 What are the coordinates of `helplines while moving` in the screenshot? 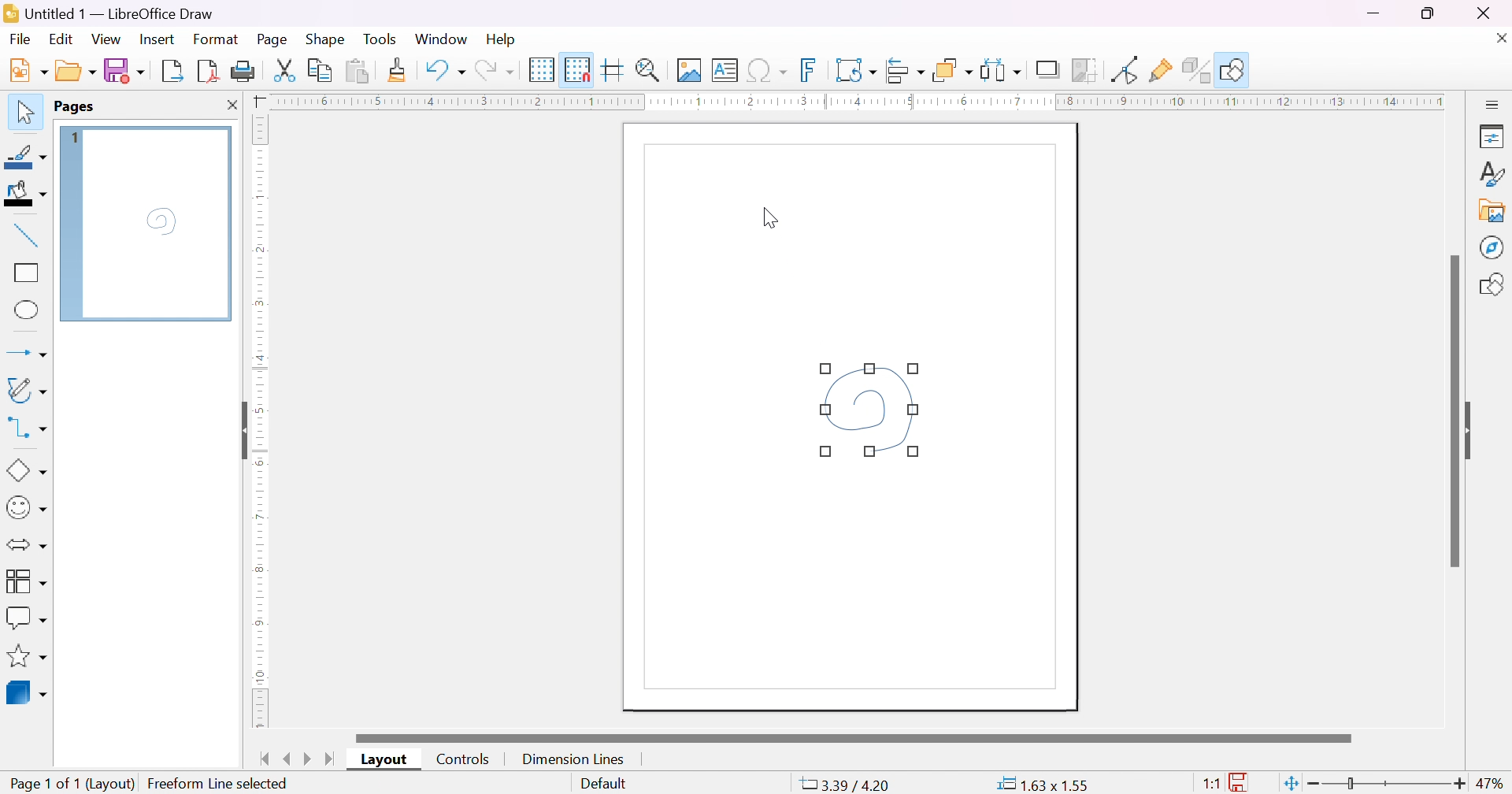 It's located at (610, 69).